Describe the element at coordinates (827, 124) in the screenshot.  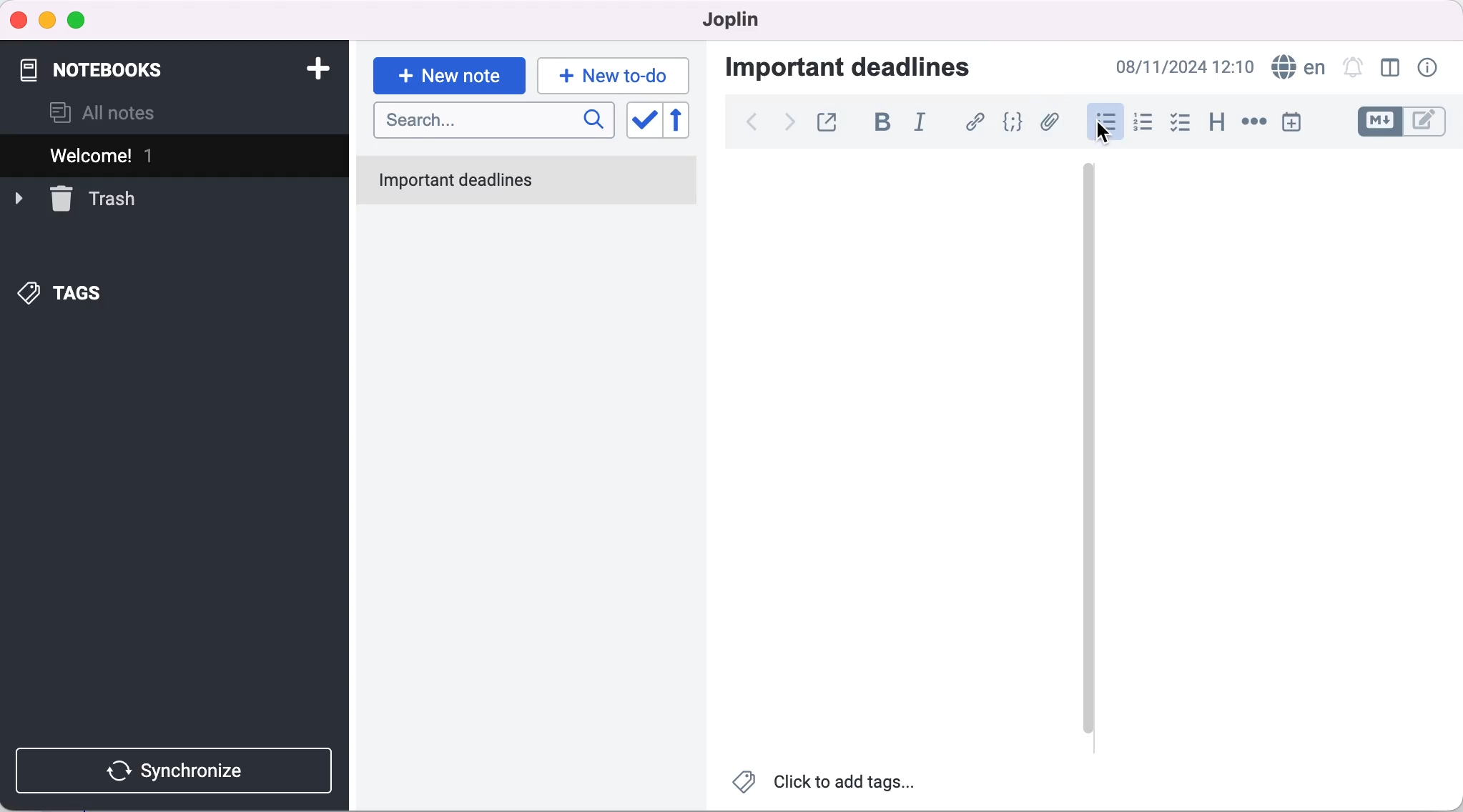
I see `toggle external editing` at that location.